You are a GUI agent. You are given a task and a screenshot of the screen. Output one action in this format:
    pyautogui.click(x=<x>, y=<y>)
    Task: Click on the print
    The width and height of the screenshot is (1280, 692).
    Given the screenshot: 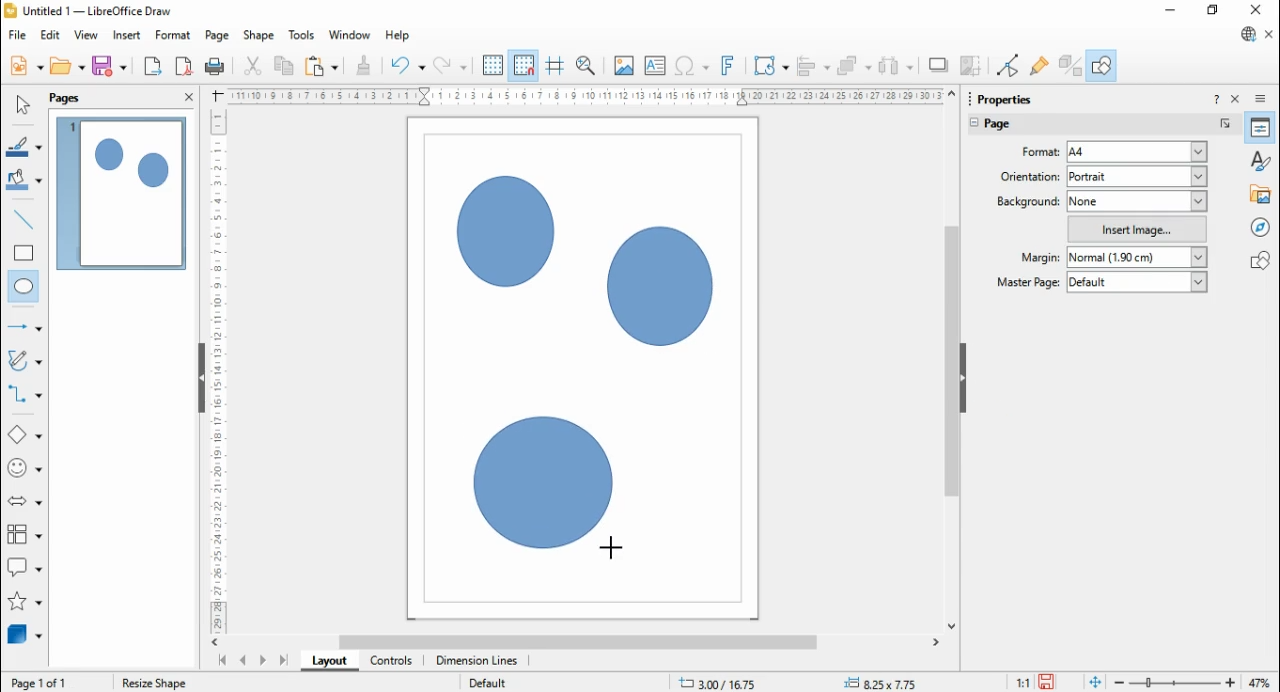 What is the action you would take?
    pyautogui.click(x=214, y=66)
    